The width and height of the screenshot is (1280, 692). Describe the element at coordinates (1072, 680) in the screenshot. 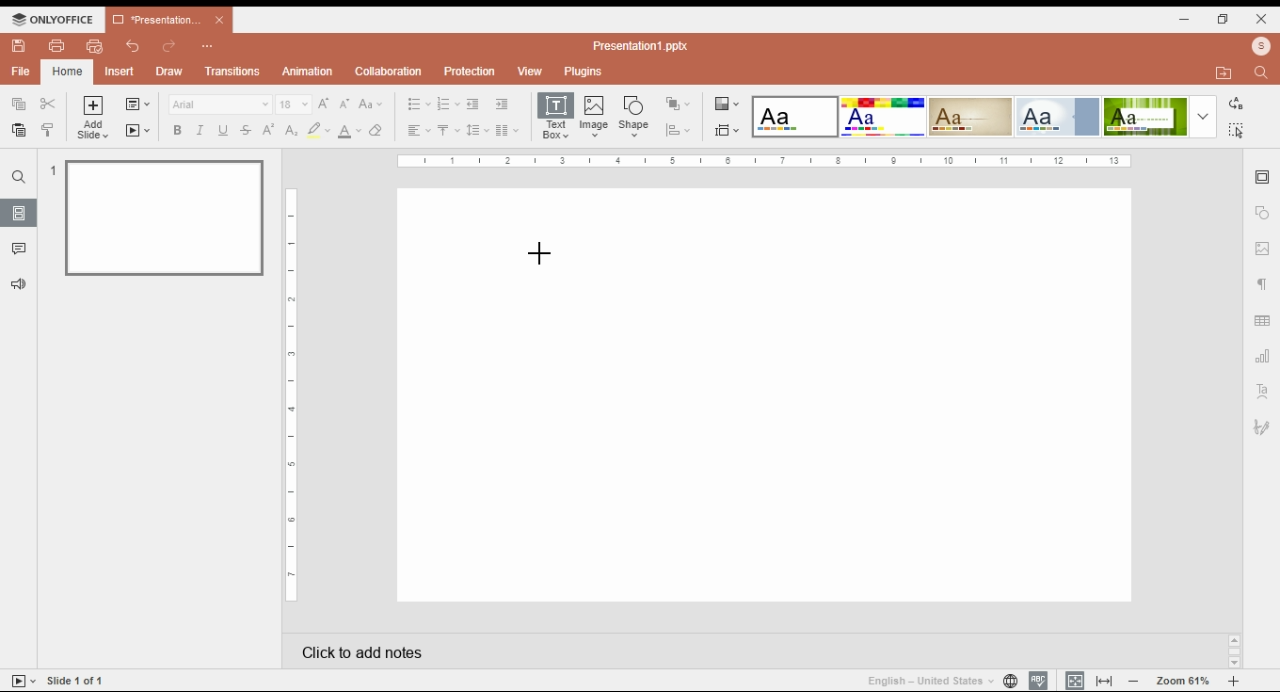

I see `fit slide` at that location.